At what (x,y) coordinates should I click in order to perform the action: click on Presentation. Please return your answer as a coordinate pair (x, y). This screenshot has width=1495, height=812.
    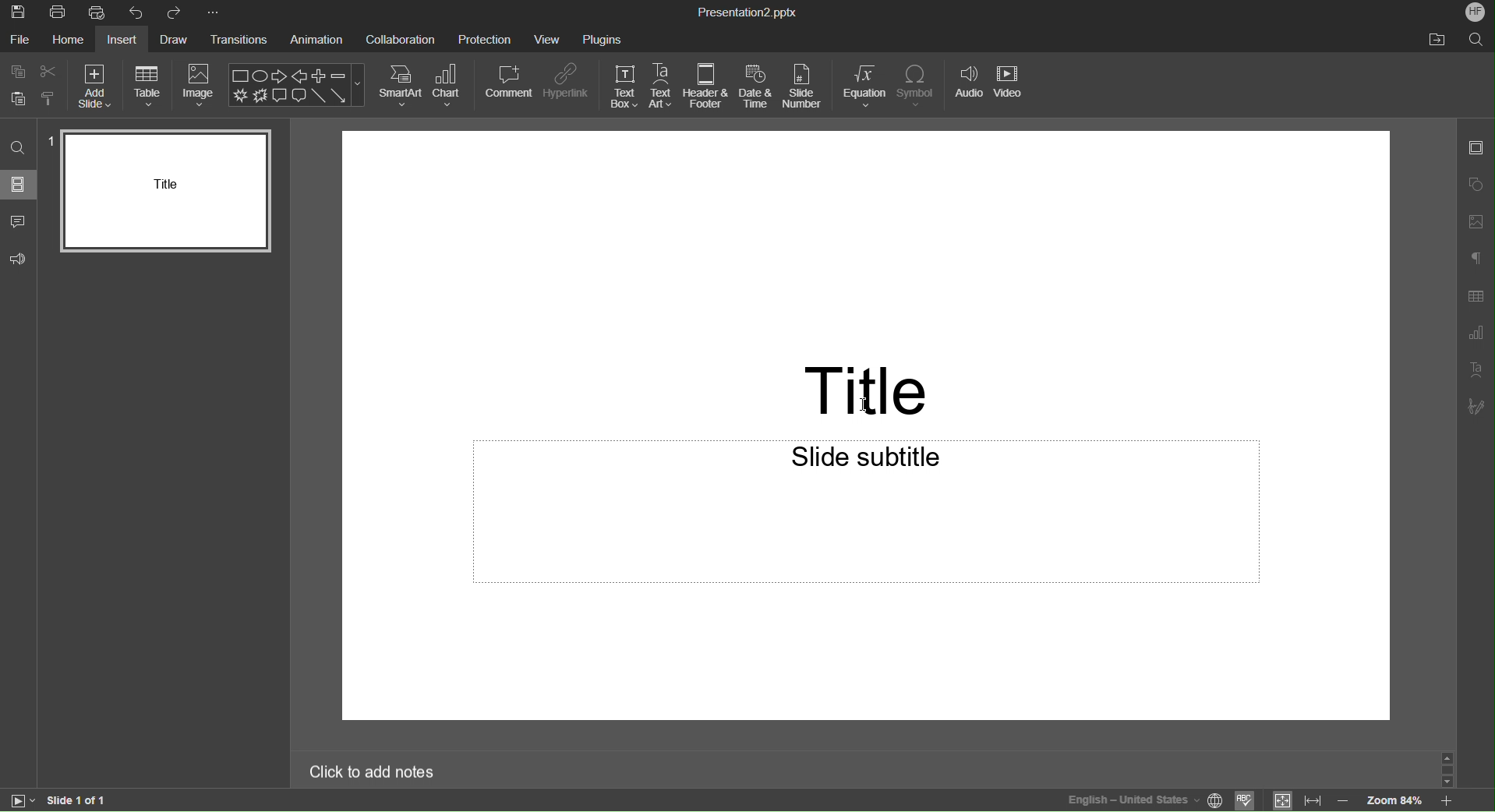
    Looking at the image, I should click on (747, 12).